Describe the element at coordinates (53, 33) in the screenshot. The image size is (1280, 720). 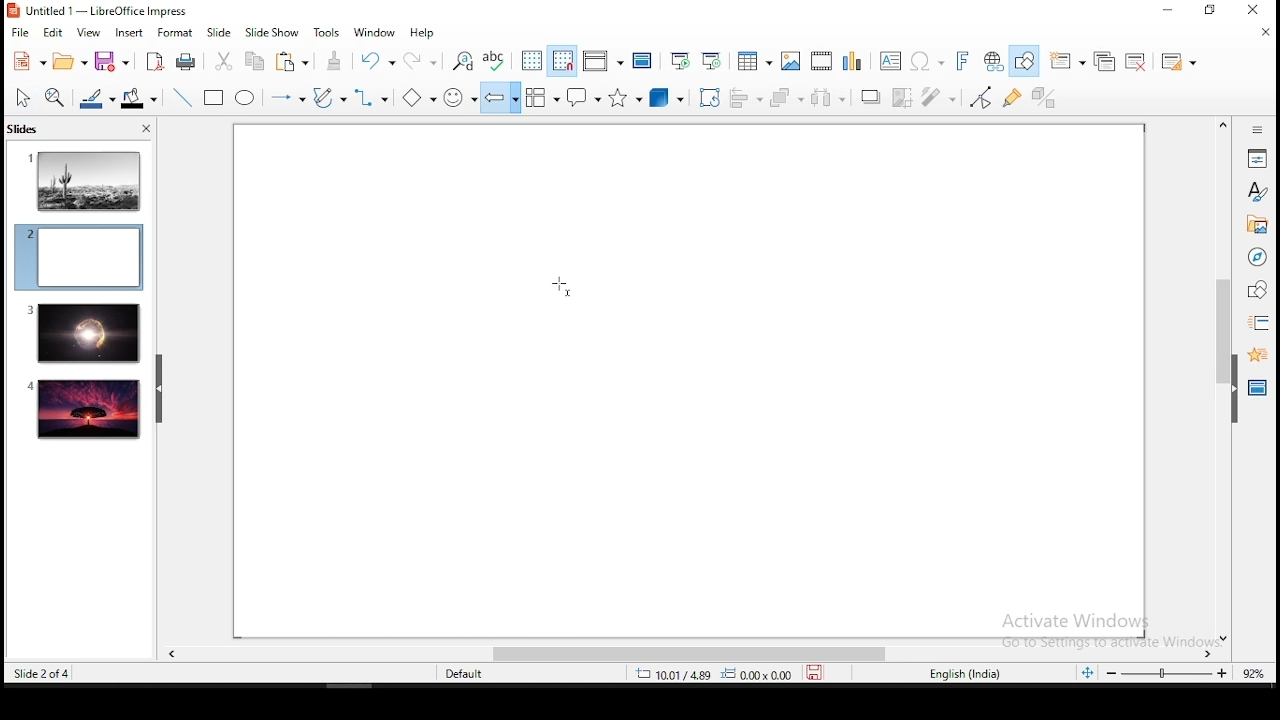
I see `edit` at that location.